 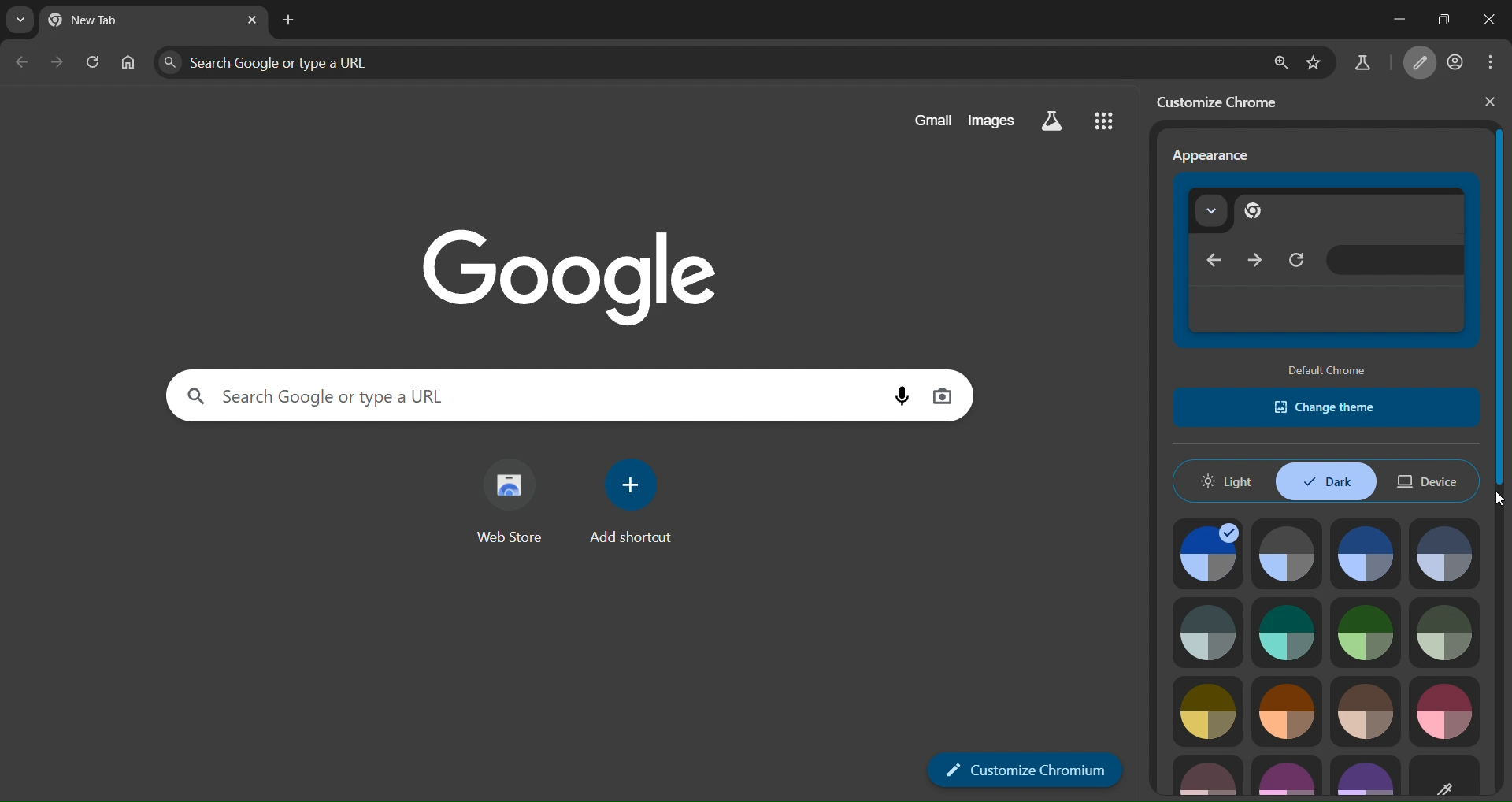 What do you see at coordinates (1230, 481) in the screenshot?
I see `light` at bounding box center [1230, 481].